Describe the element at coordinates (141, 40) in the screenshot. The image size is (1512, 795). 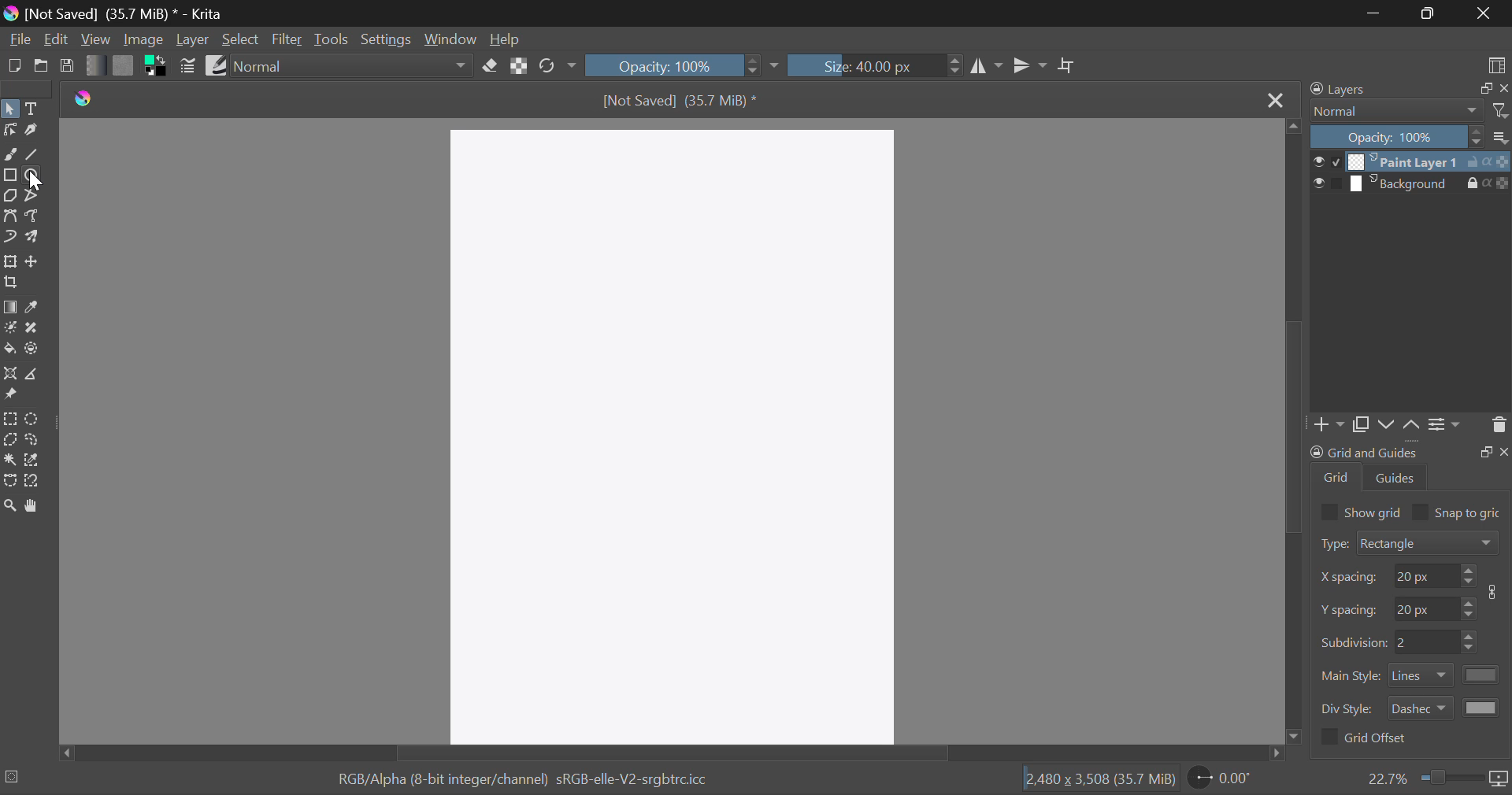
I see `Image` at that location.